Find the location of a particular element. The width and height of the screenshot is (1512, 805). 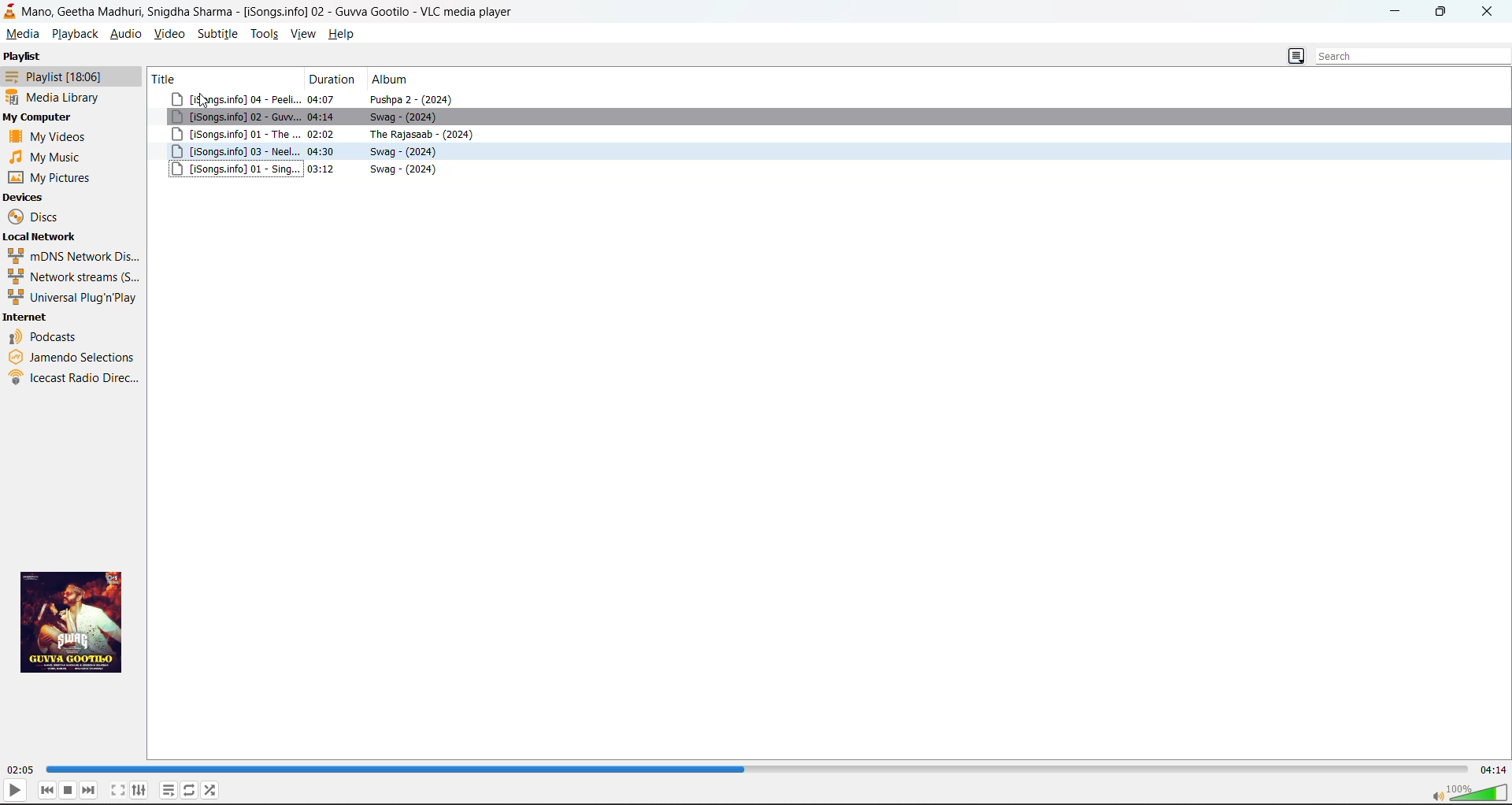

music is located at coordinates (48, 157).